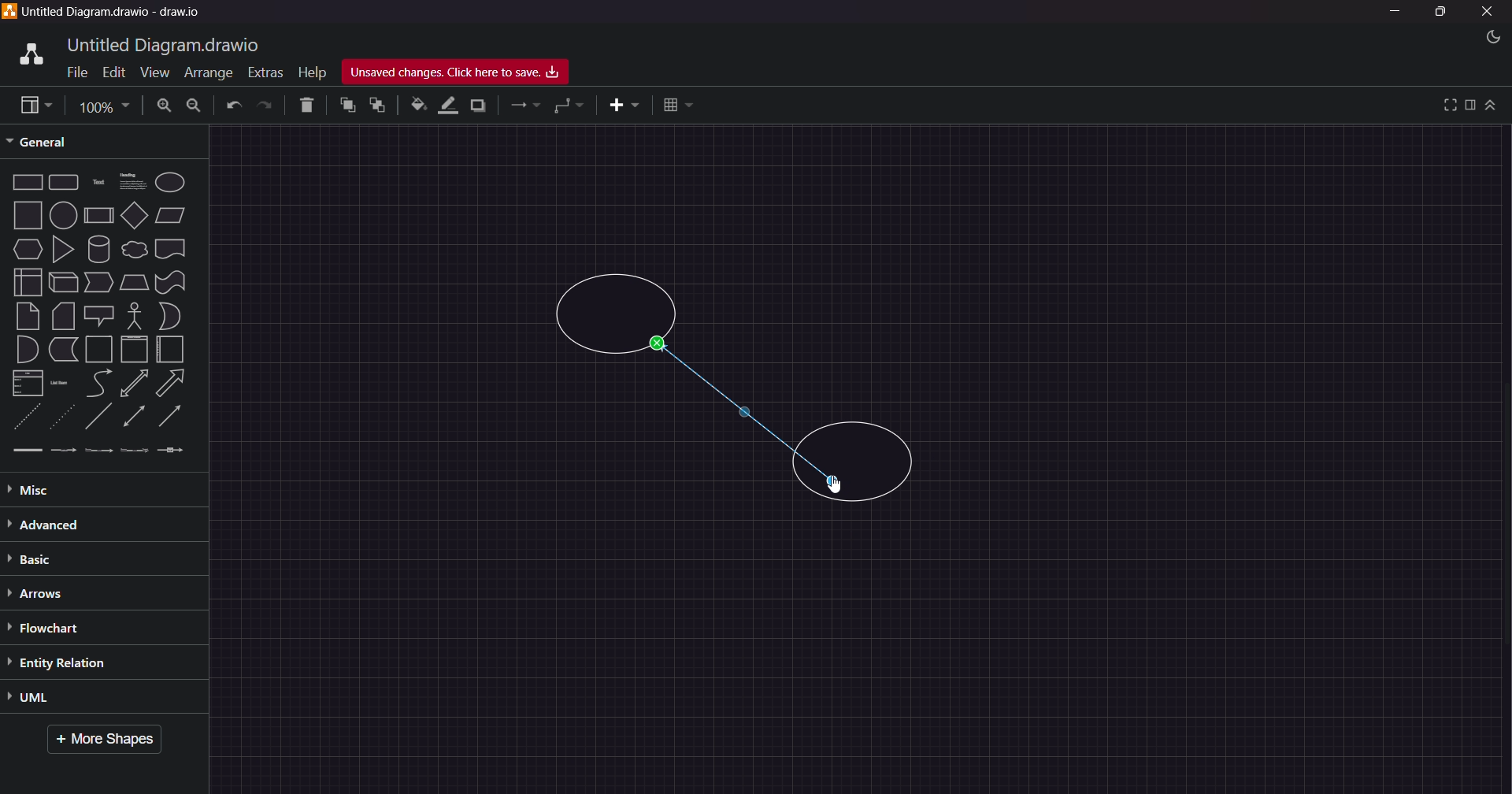 Image resolution: width=1512 pixels, height=794 pixels. Describe the element at coordinates (100, 315) in the screenshot. I see `Shapes` at that location.